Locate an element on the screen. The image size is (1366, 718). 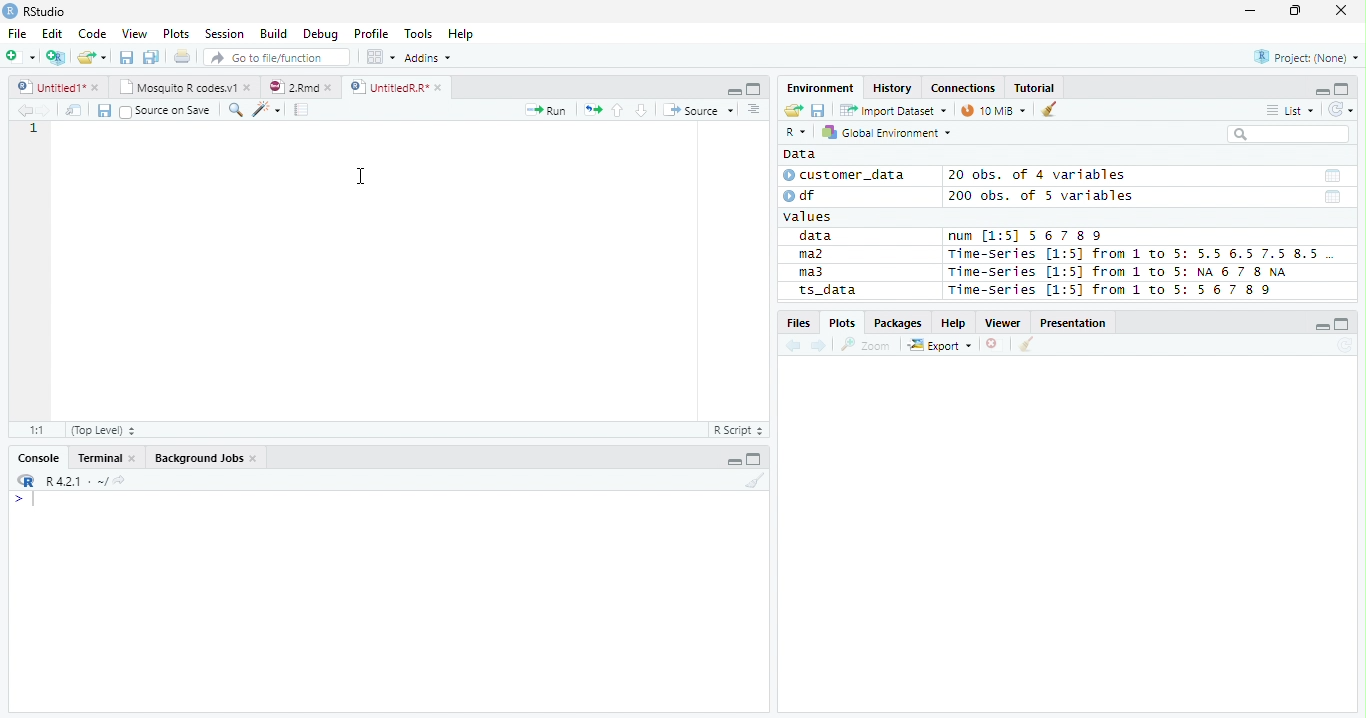
Date is located at coordinates (1331, 176).